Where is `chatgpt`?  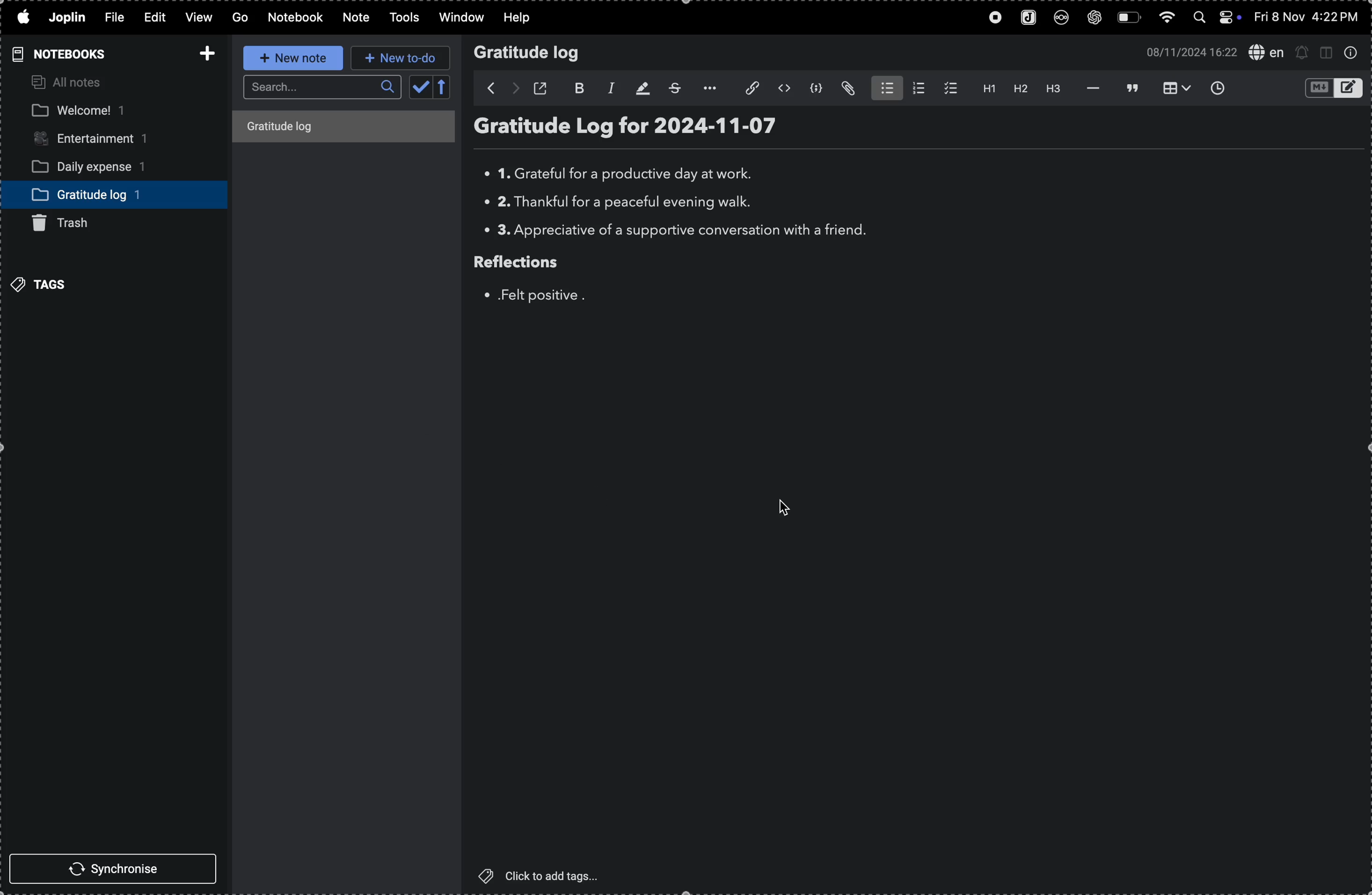 chatgpt is located at coordinates (1096, 17).